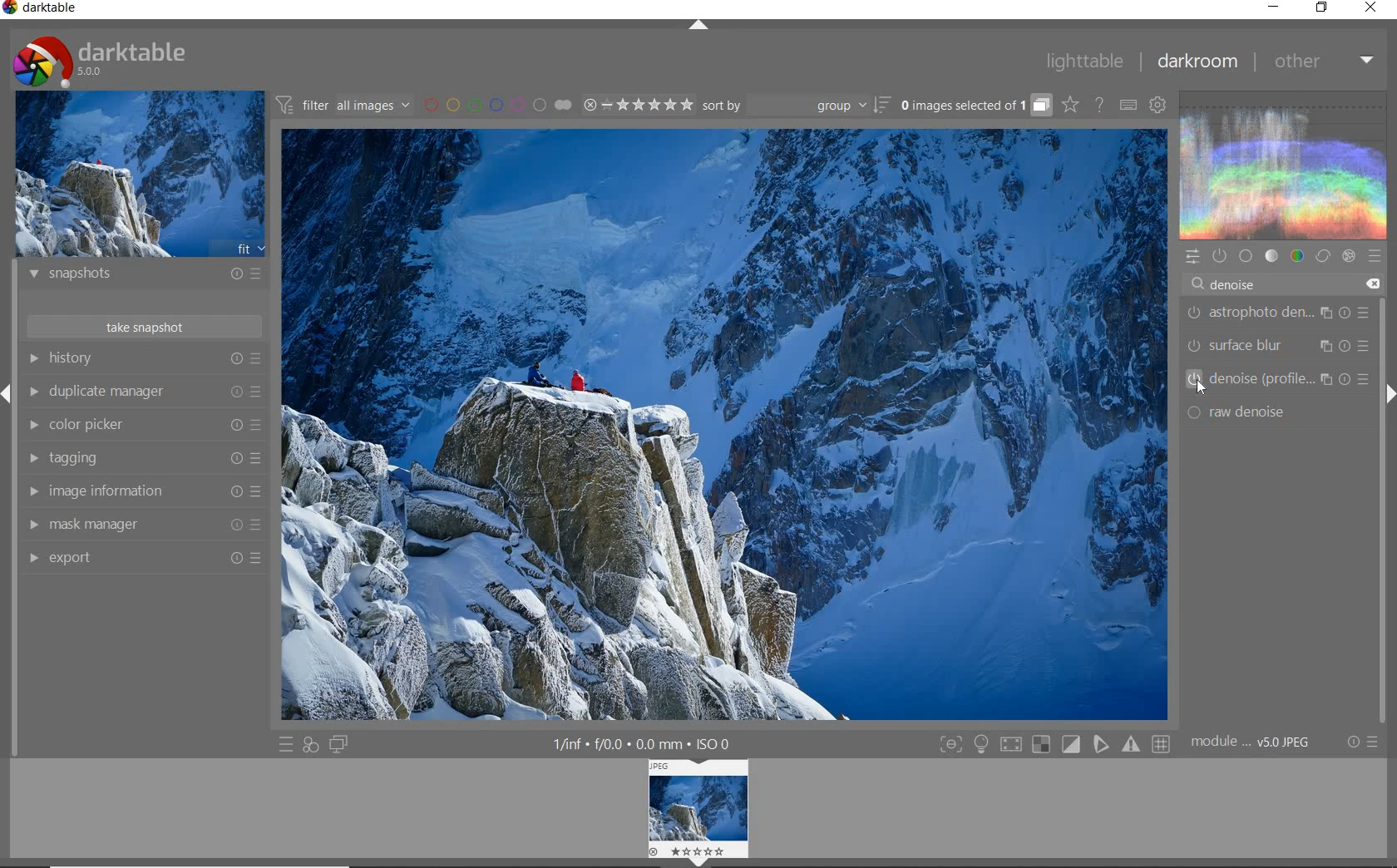 This screenshot has width=1397, height=868. I want to click on image information, so click(143, 491).